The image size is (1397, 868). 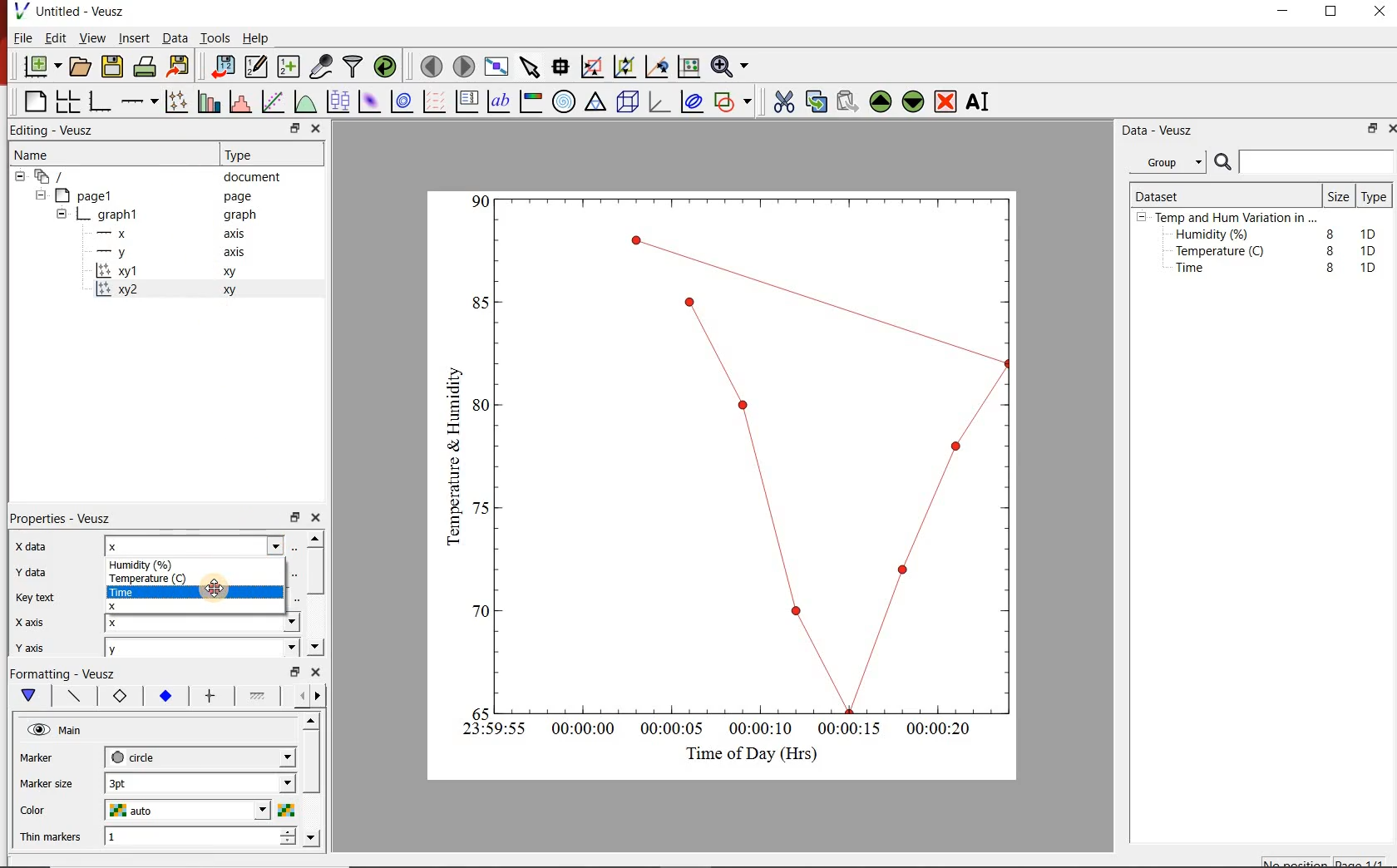 What do you see at coordinates (146, 69) in the screenshot?
I see `print the document` at bounding box center [146, 69].